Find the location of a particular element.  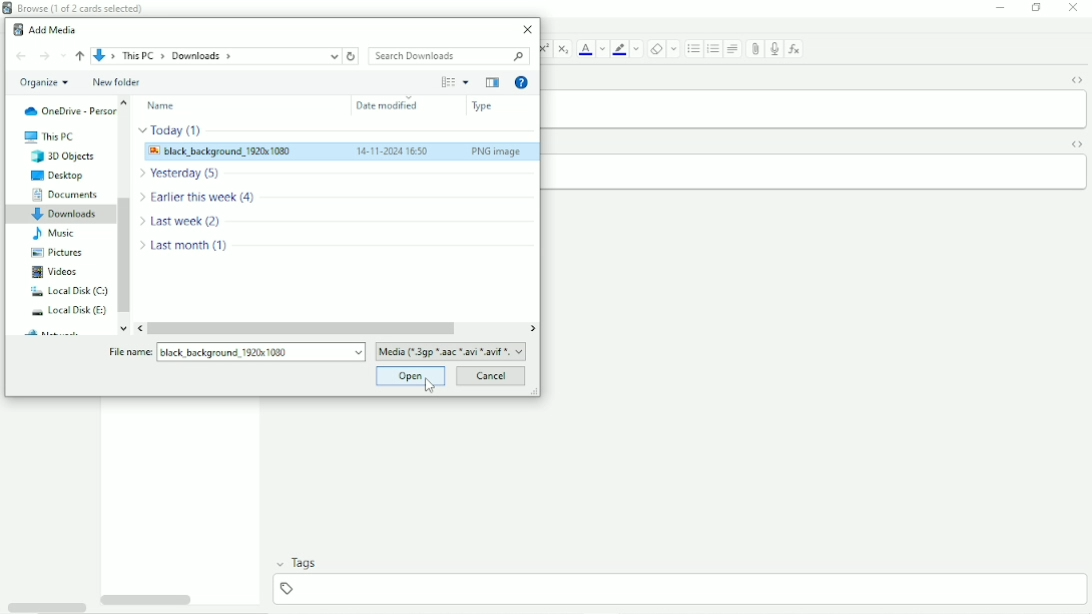

Earlier this week (4) is located at coordinates (197, 197).